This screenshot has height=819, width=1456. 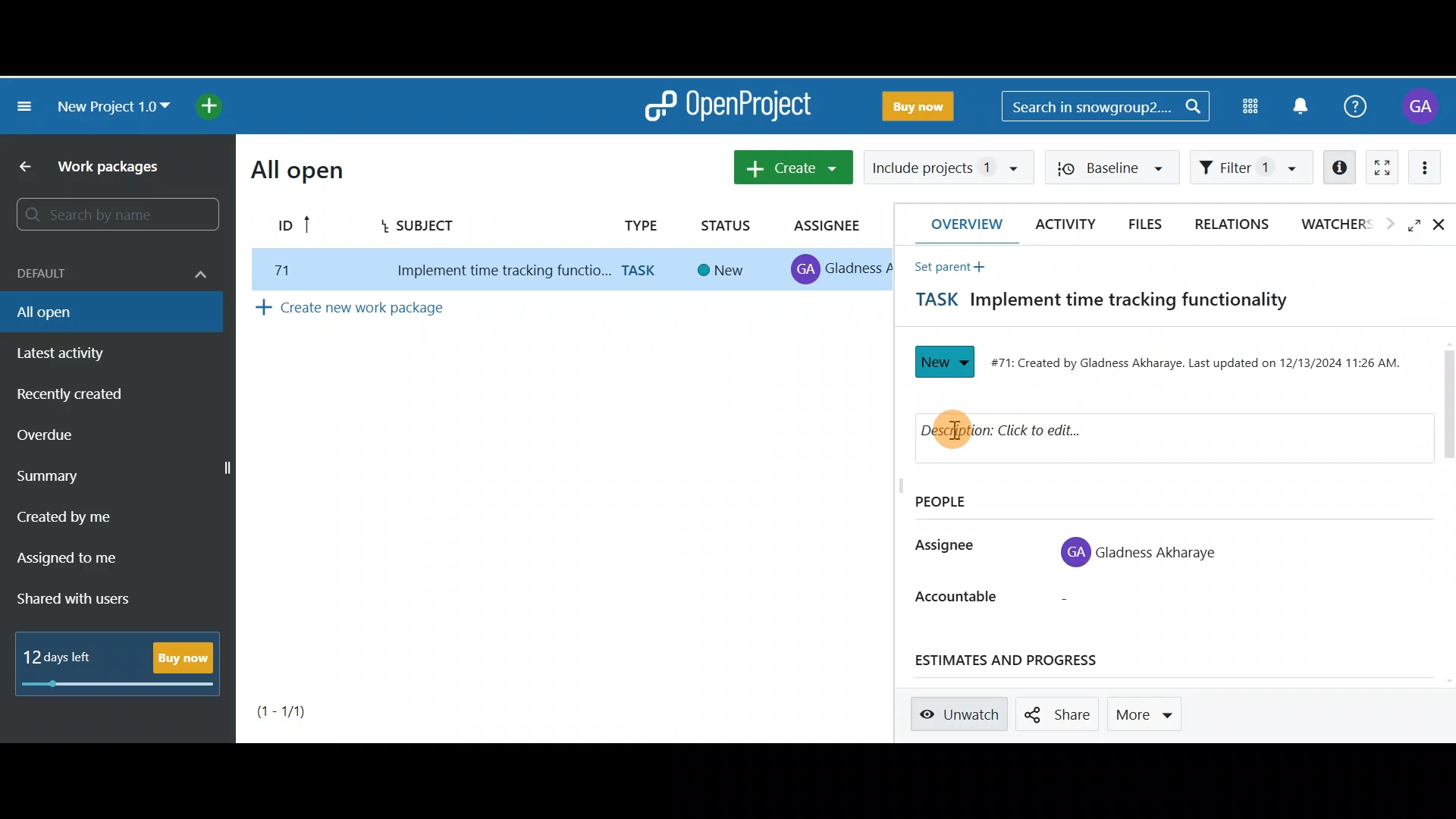 What do you see at coordinates (793, 167) in the screenshot?
I see `Create` at bounding box center [793, 167].